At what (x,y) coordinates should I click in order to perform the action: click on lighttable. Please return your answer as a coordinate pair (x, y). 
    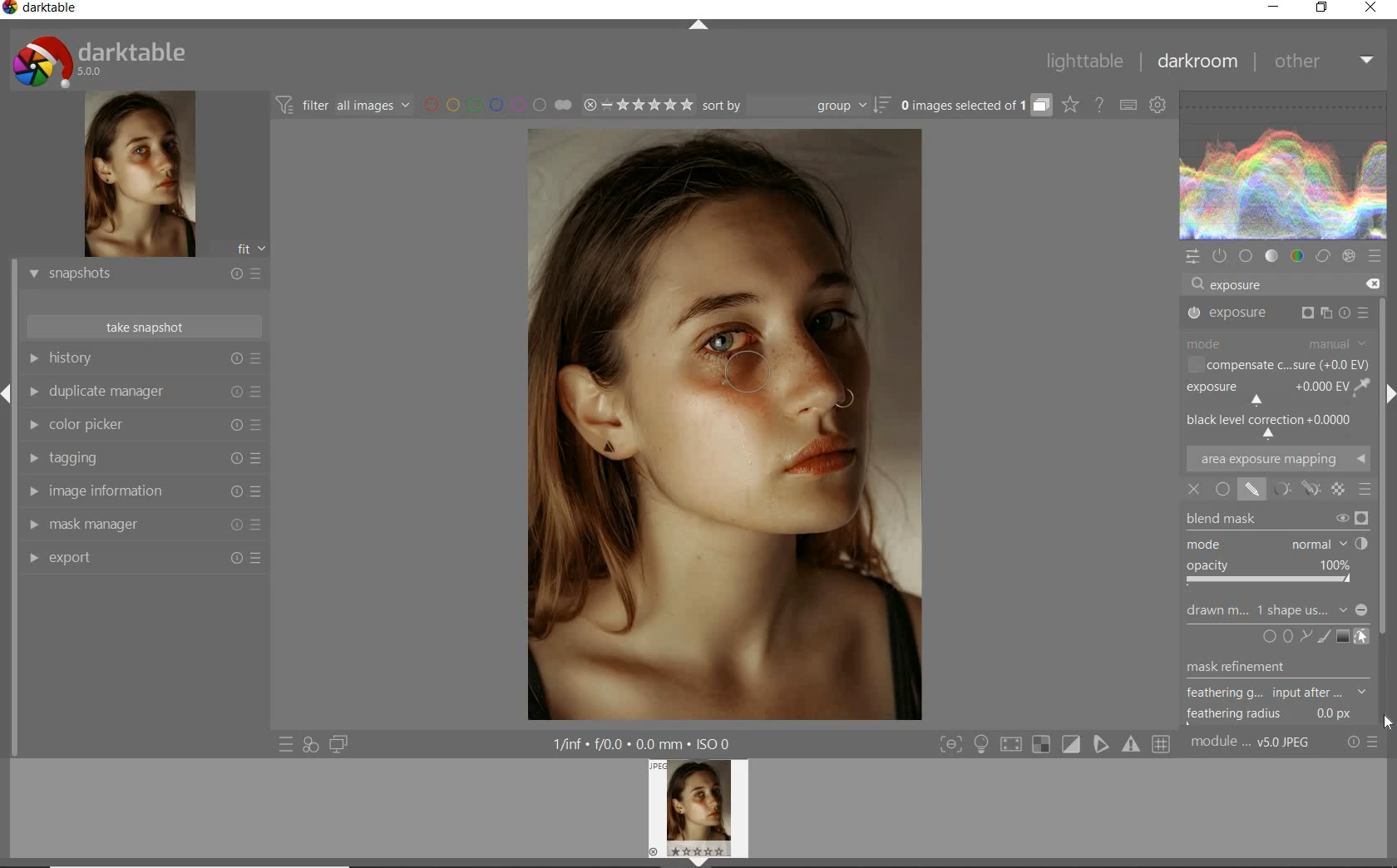
    Looking at the image, I should click on (1088, 60).